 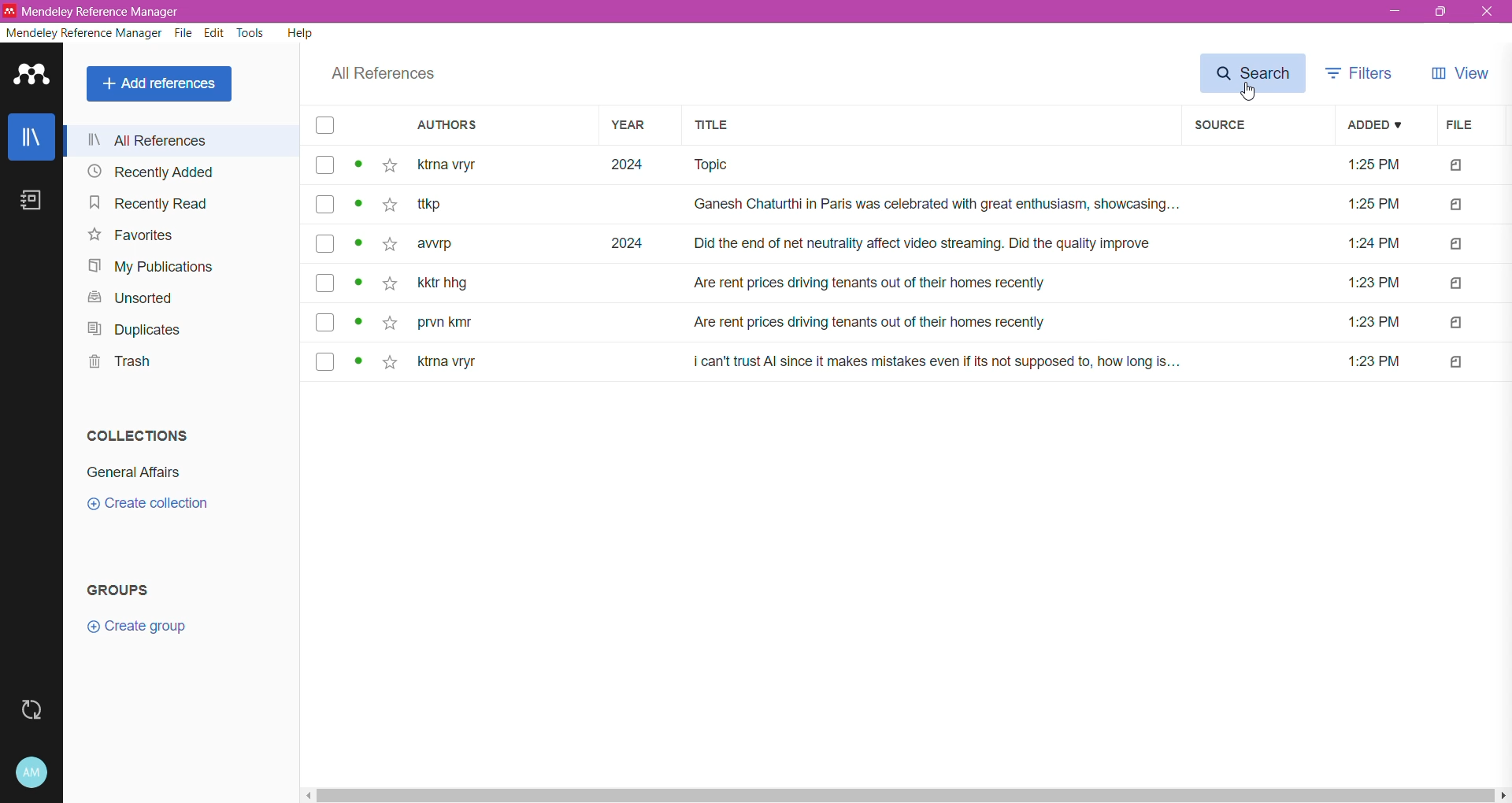 What do you see at coordinates (147, 330) in the screenshot?
I see `Duplicates` at bounding box center [147, 330].